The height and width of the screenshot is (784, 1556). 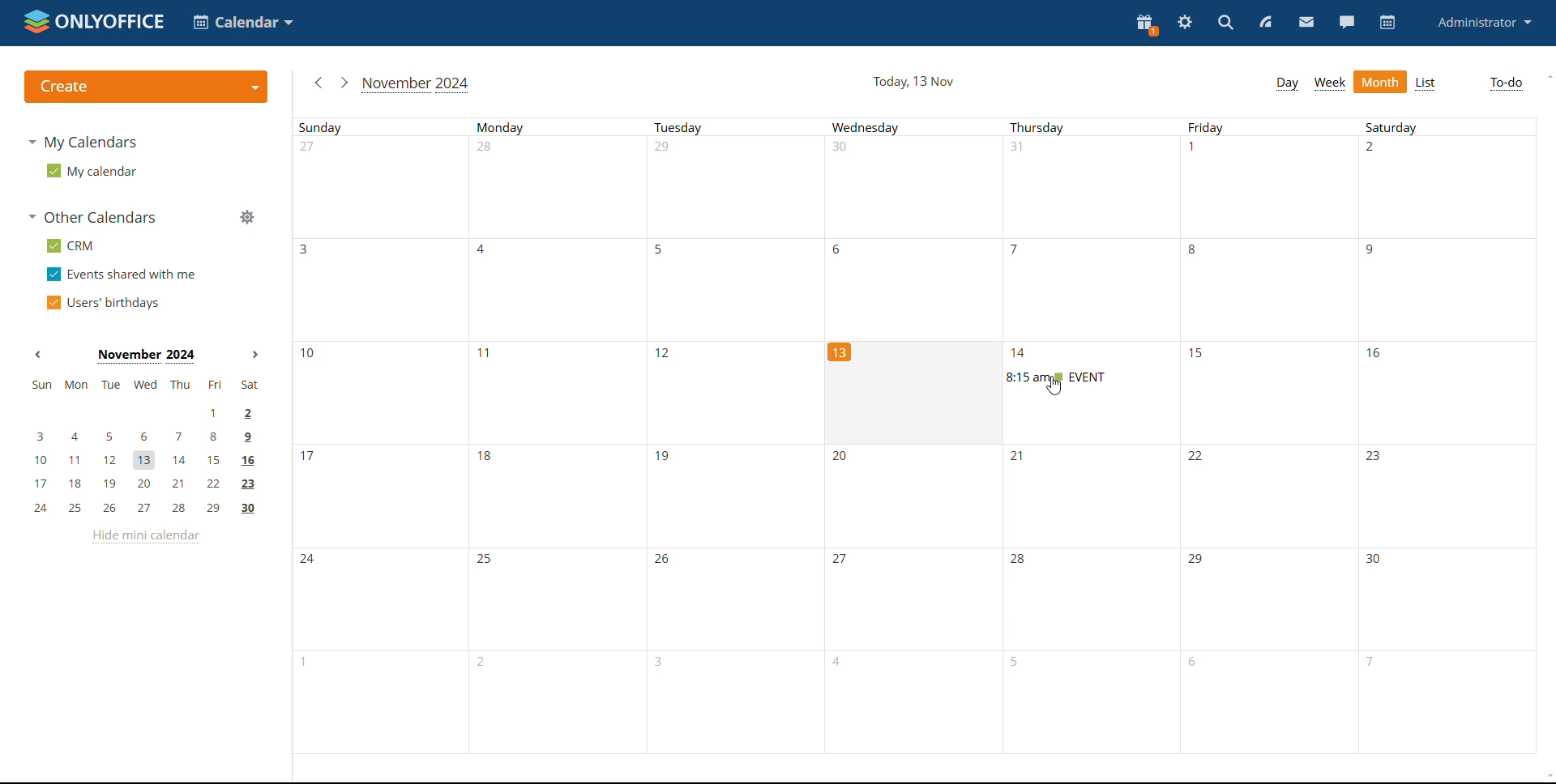 I want to click on current month, so click(x=144, y=356).